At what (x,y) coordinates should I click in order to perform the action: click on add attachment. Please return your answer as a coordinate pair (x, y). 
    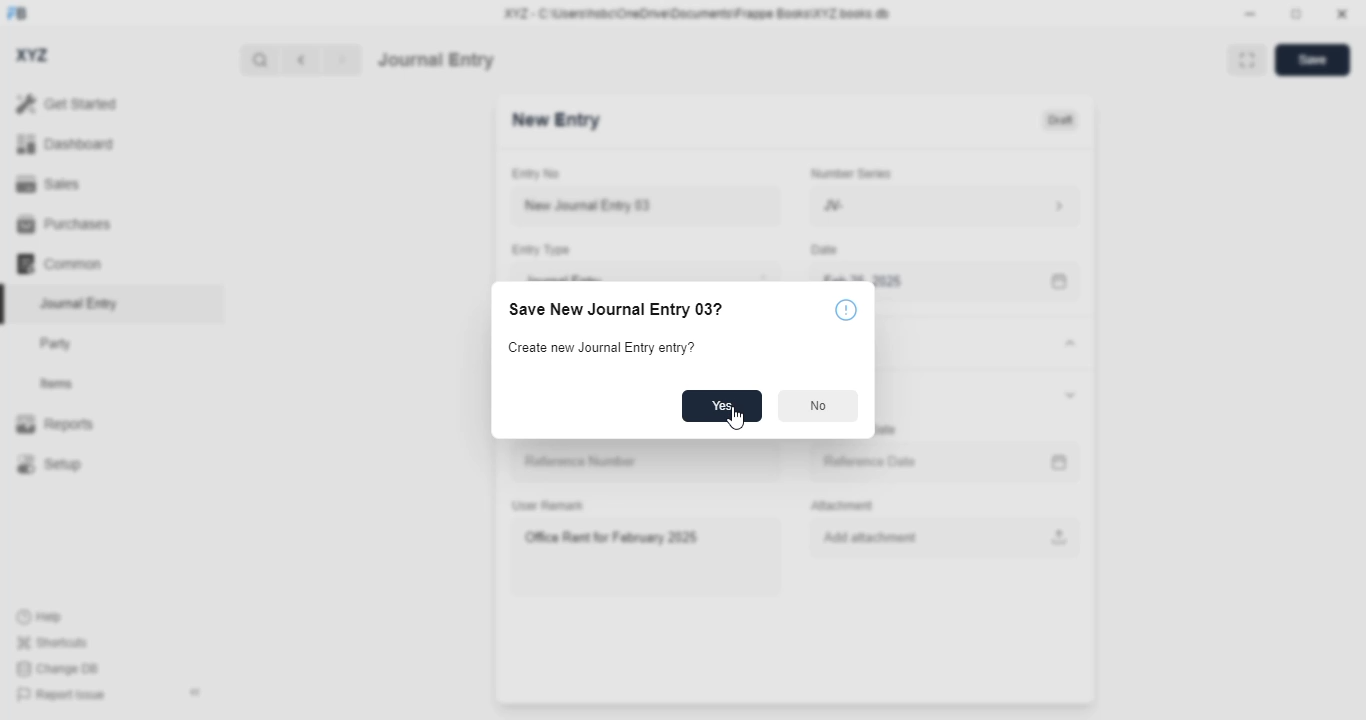
    Looking at the image, I should click on (946, 538).